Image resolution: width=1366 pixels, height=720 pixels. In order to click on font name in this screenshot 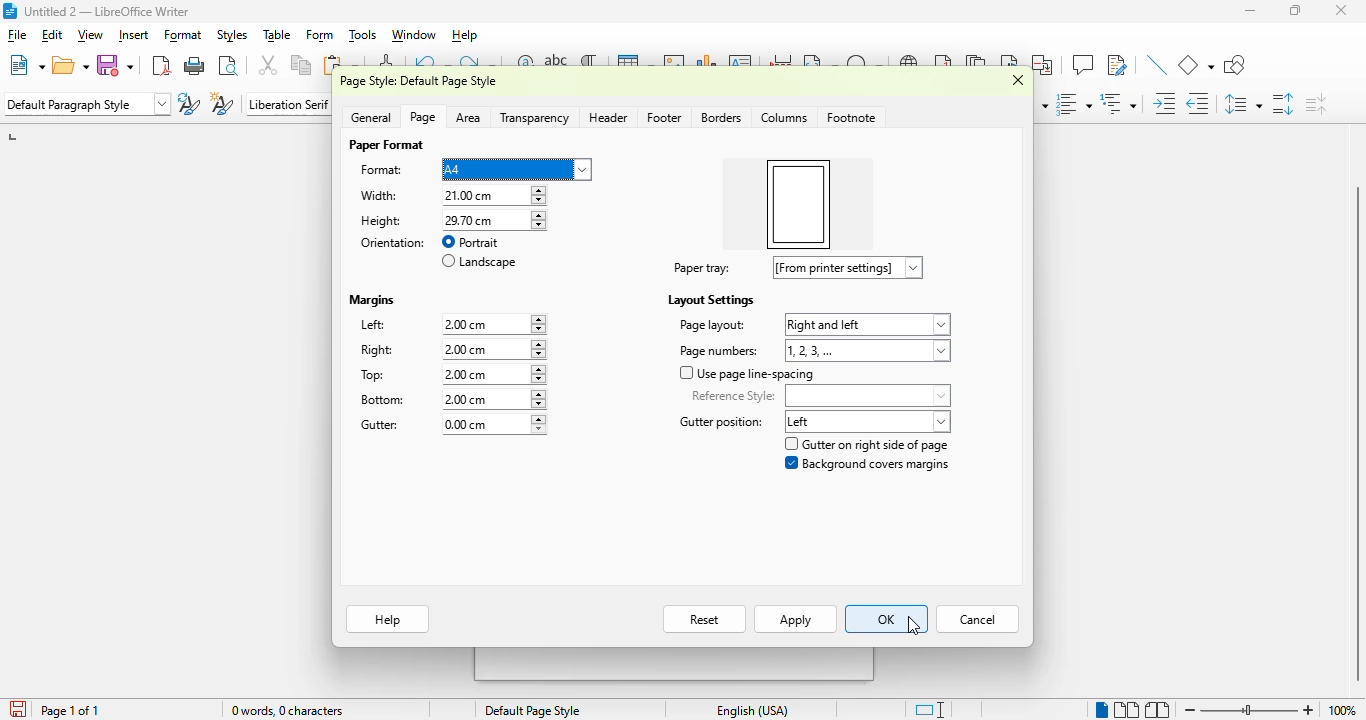, I will do `click(289, 103)`.